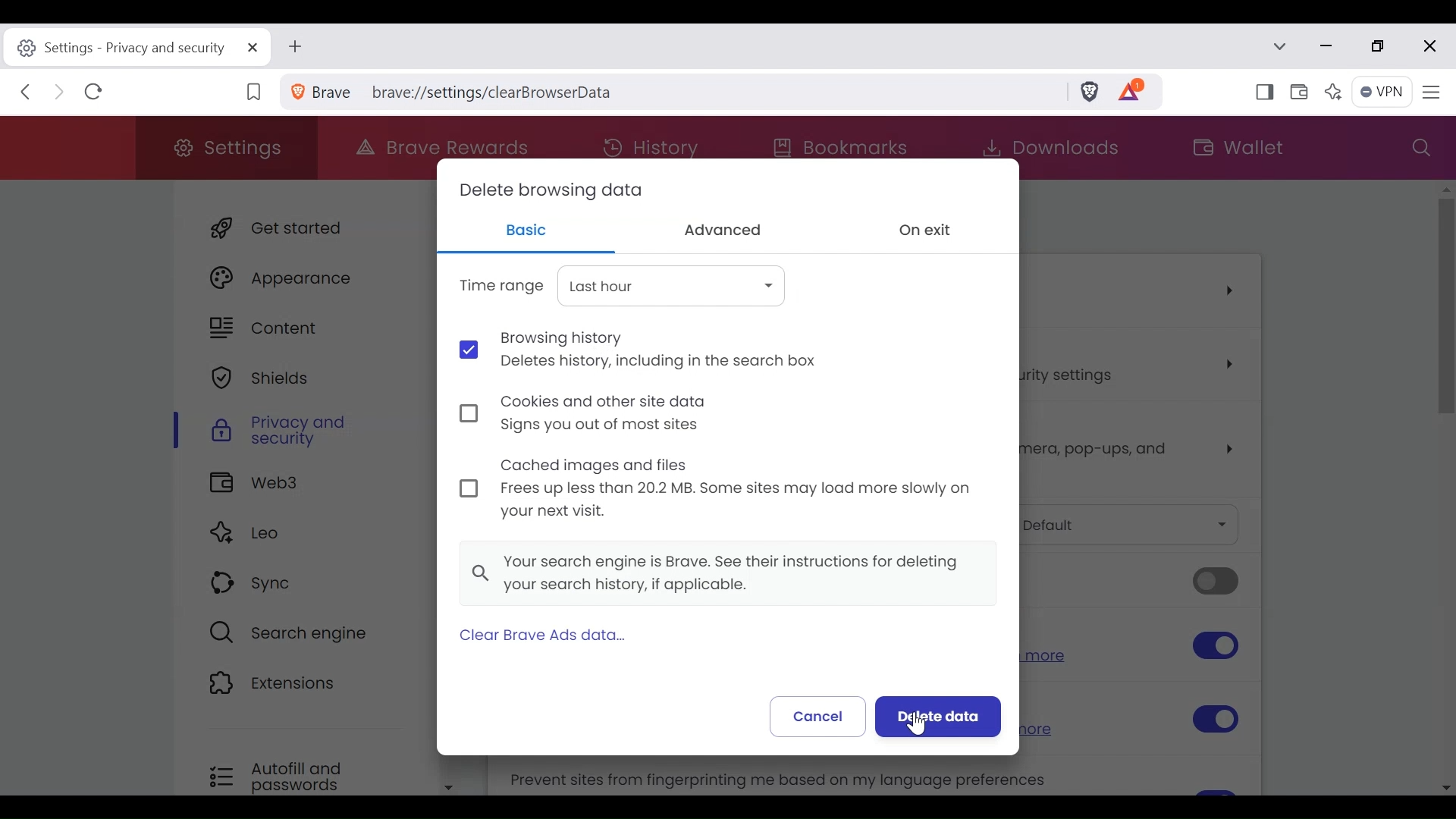  Describe the element at coordinates (1382, 93) in the screenshot. I see `VPN` at that location.